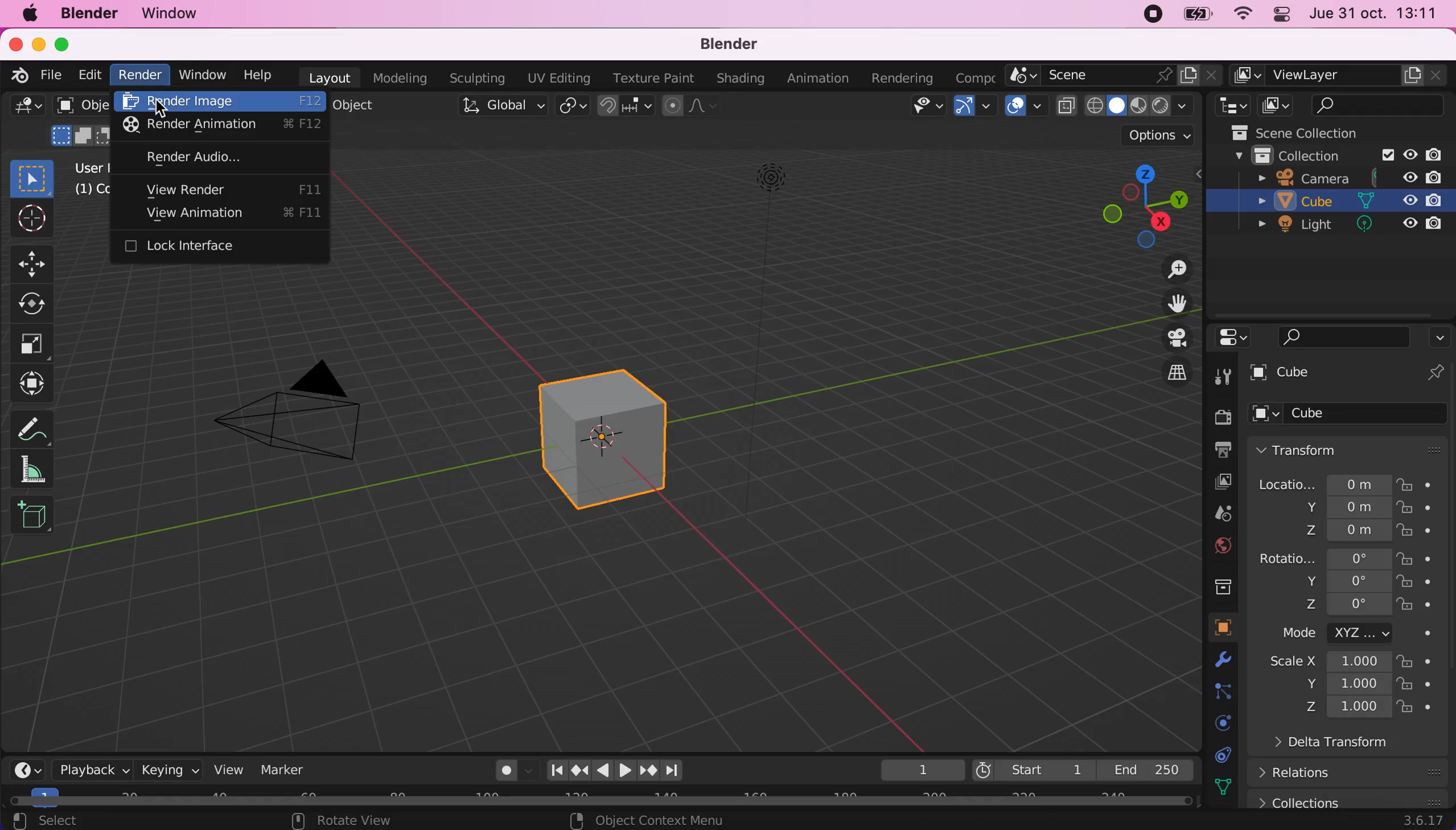 The width and height of the screenshot is (1456, 830). Describe the element at coordinates (88, 14) in the screenshot. I see `blender` at that location.